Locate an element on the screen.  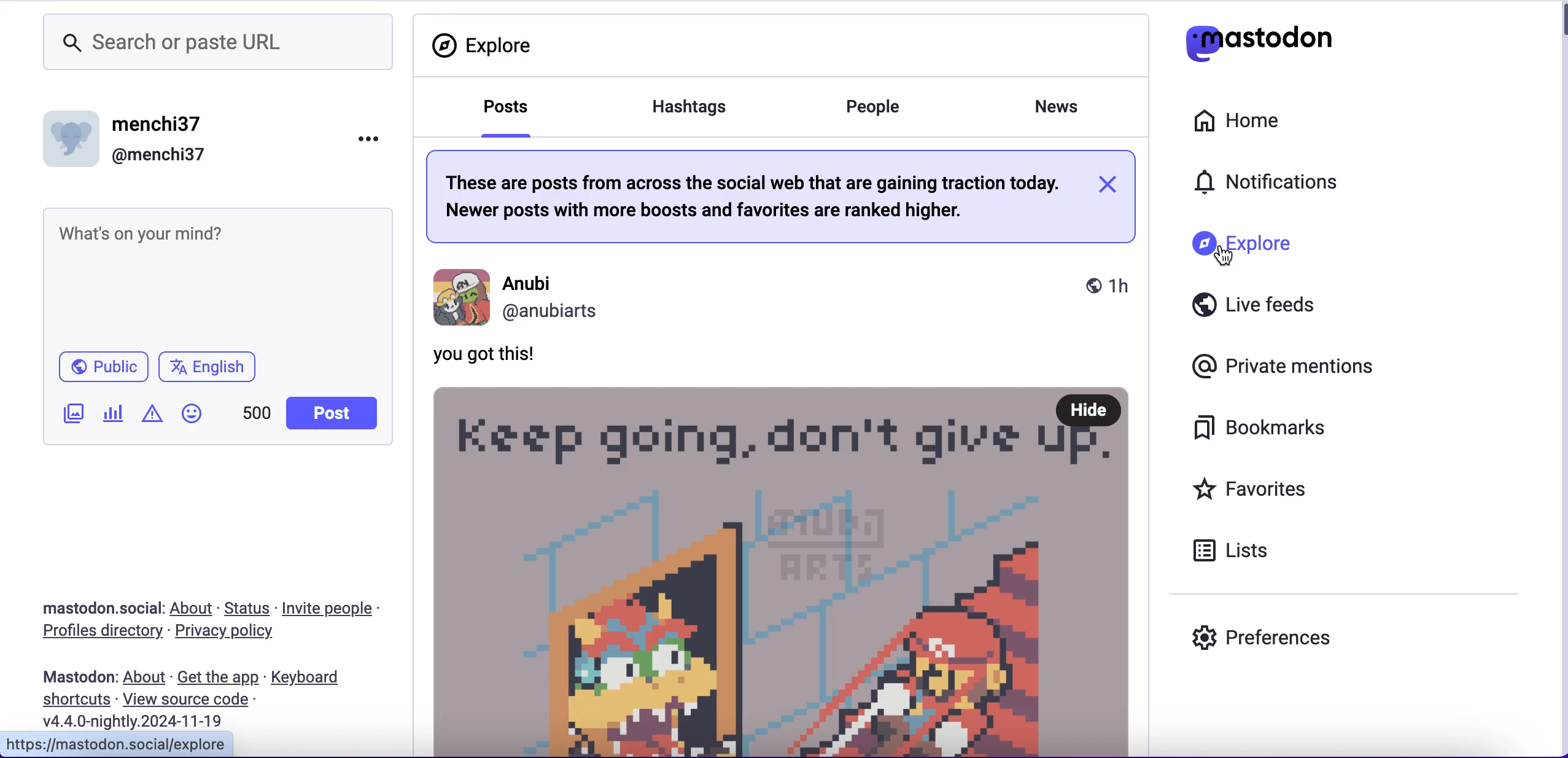
add image is located at coordinates (71, 413).